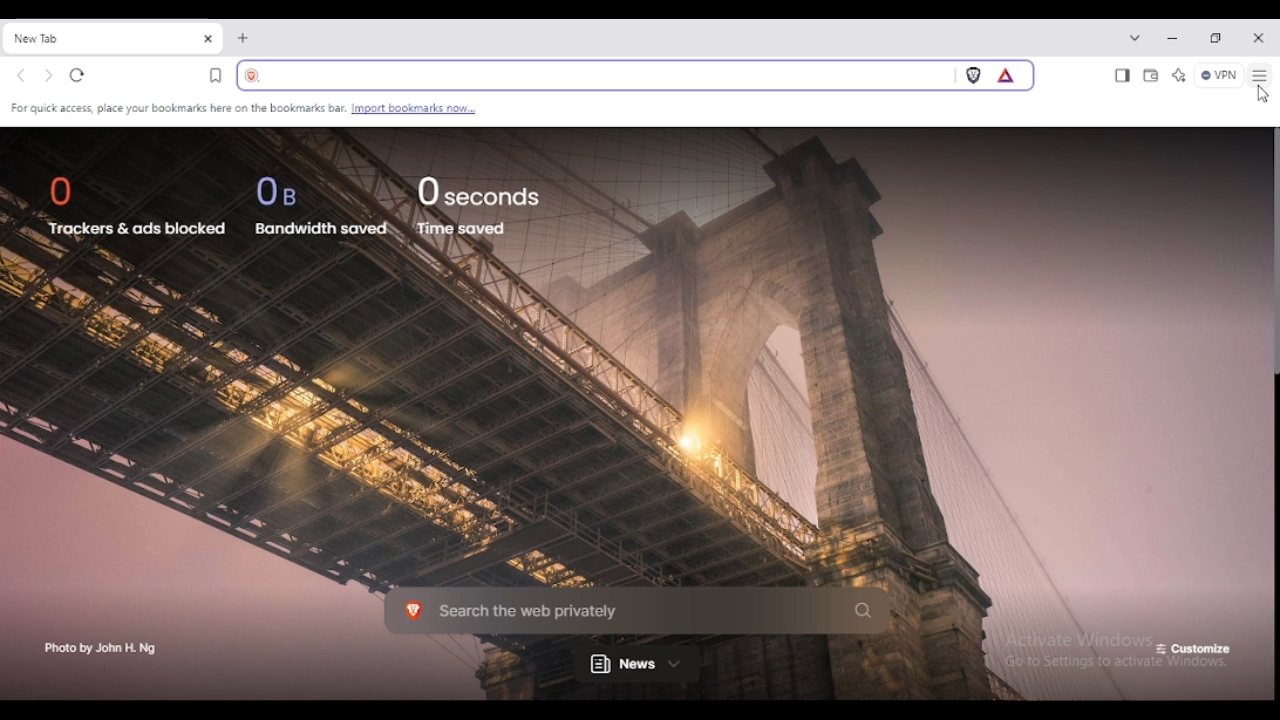 This screenshot has height=720, width=1280. Describe the element at coordinates (244, 38) in the screenshot. I see `new tab` at that location.